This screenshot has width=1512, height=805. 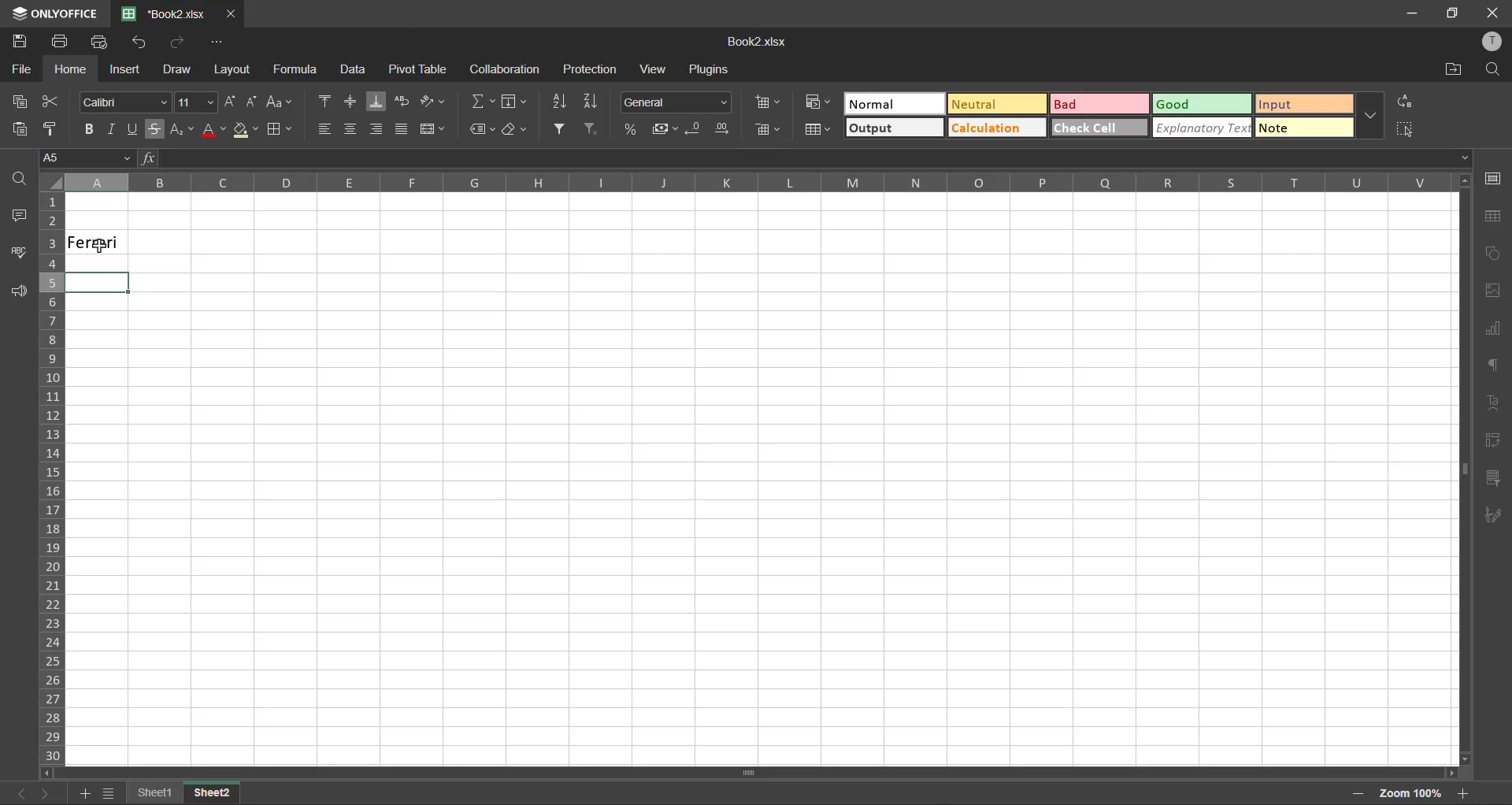 What do you see at coordinates (20, 103) in the screenshot?
I see `copy` at bounding box center [20, 103].